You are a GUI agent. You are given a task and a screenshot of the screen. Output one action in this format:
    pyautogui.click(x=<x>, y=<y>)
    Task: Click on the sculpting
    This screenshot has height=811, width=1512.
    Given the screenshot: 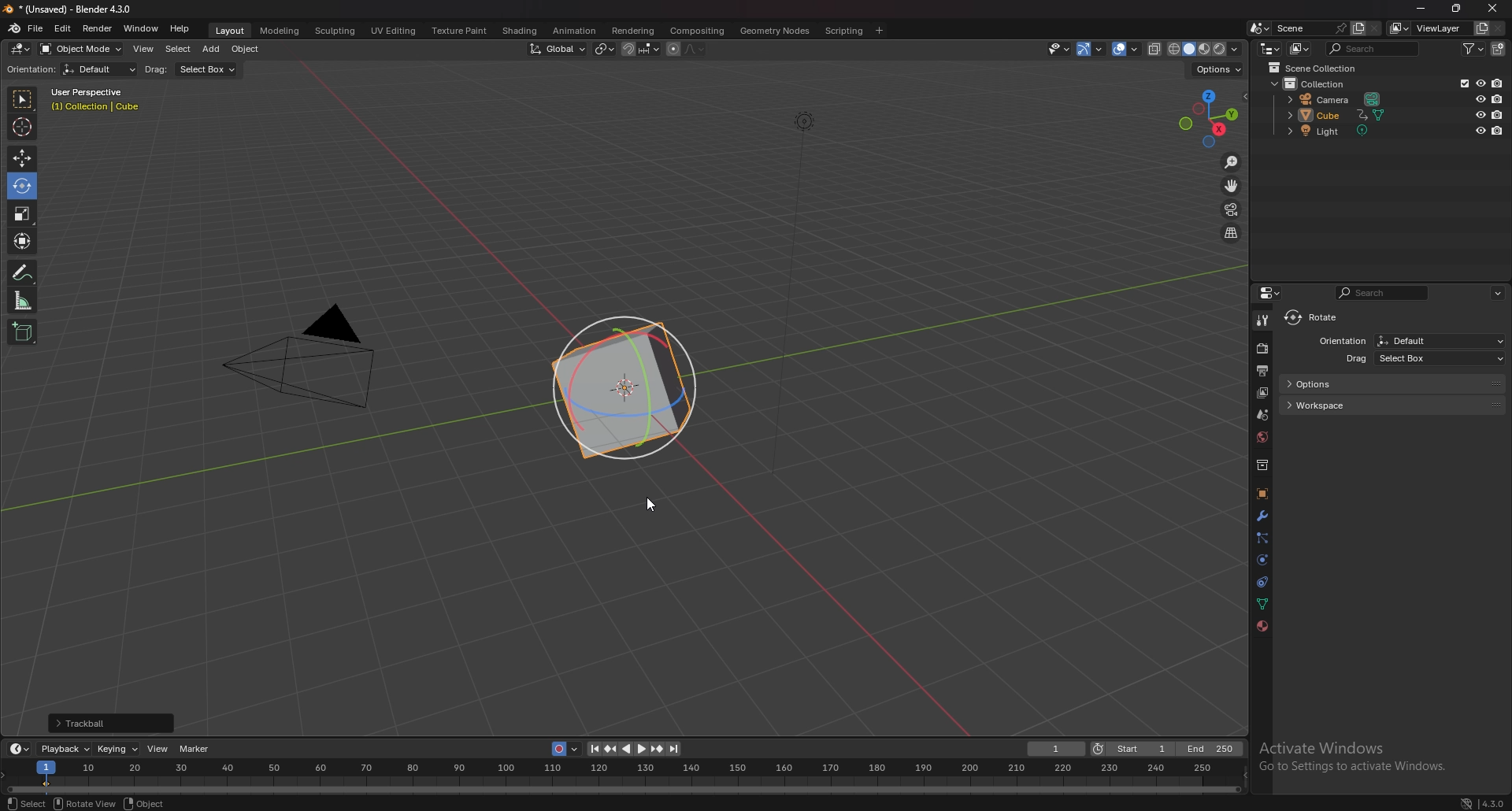 What is the action you would take?
    pyautogui.click(x=337, y=31)
    